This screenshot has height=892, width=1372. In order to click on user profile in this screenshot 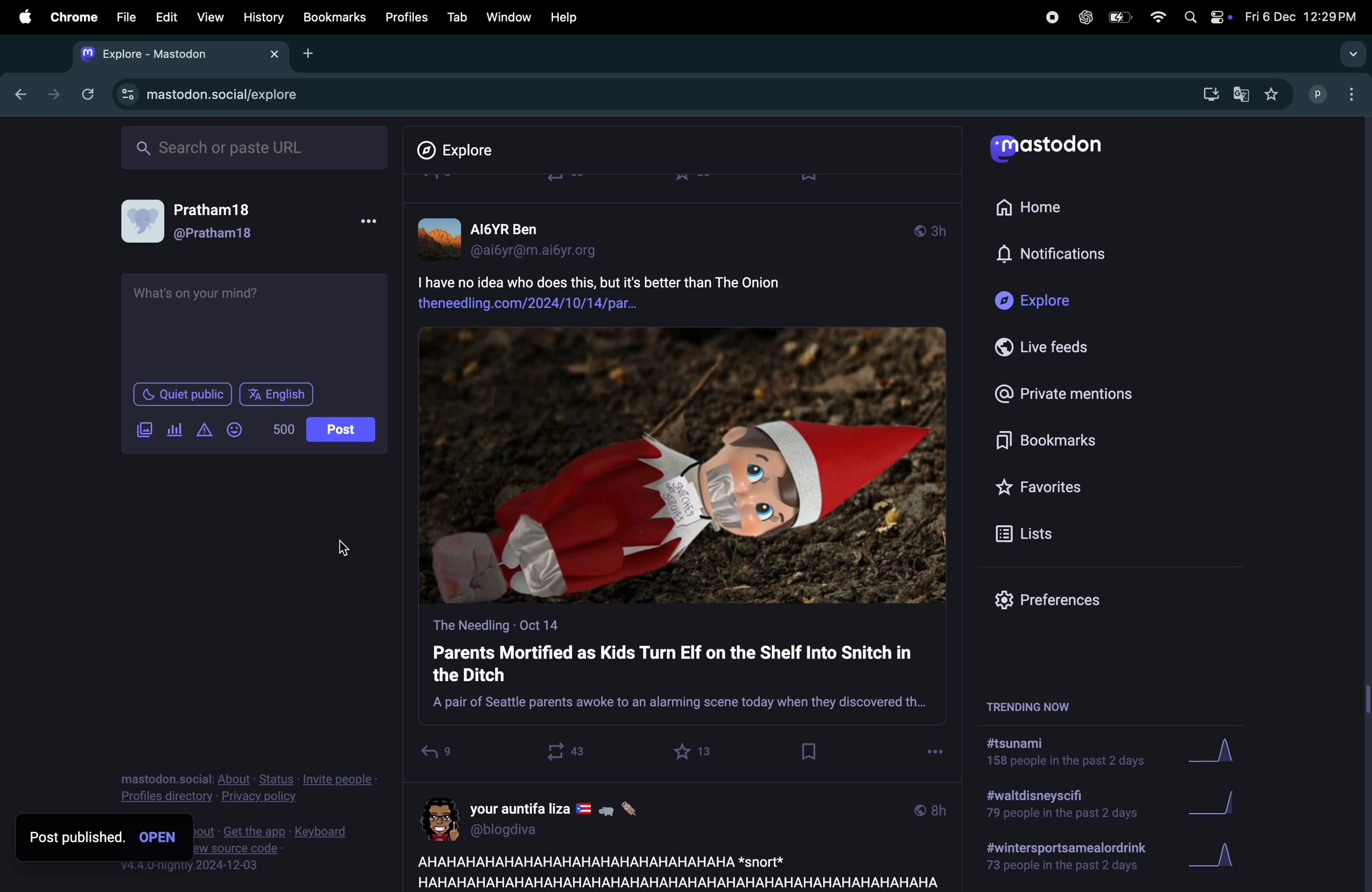, I will do `click(199, 223)`.